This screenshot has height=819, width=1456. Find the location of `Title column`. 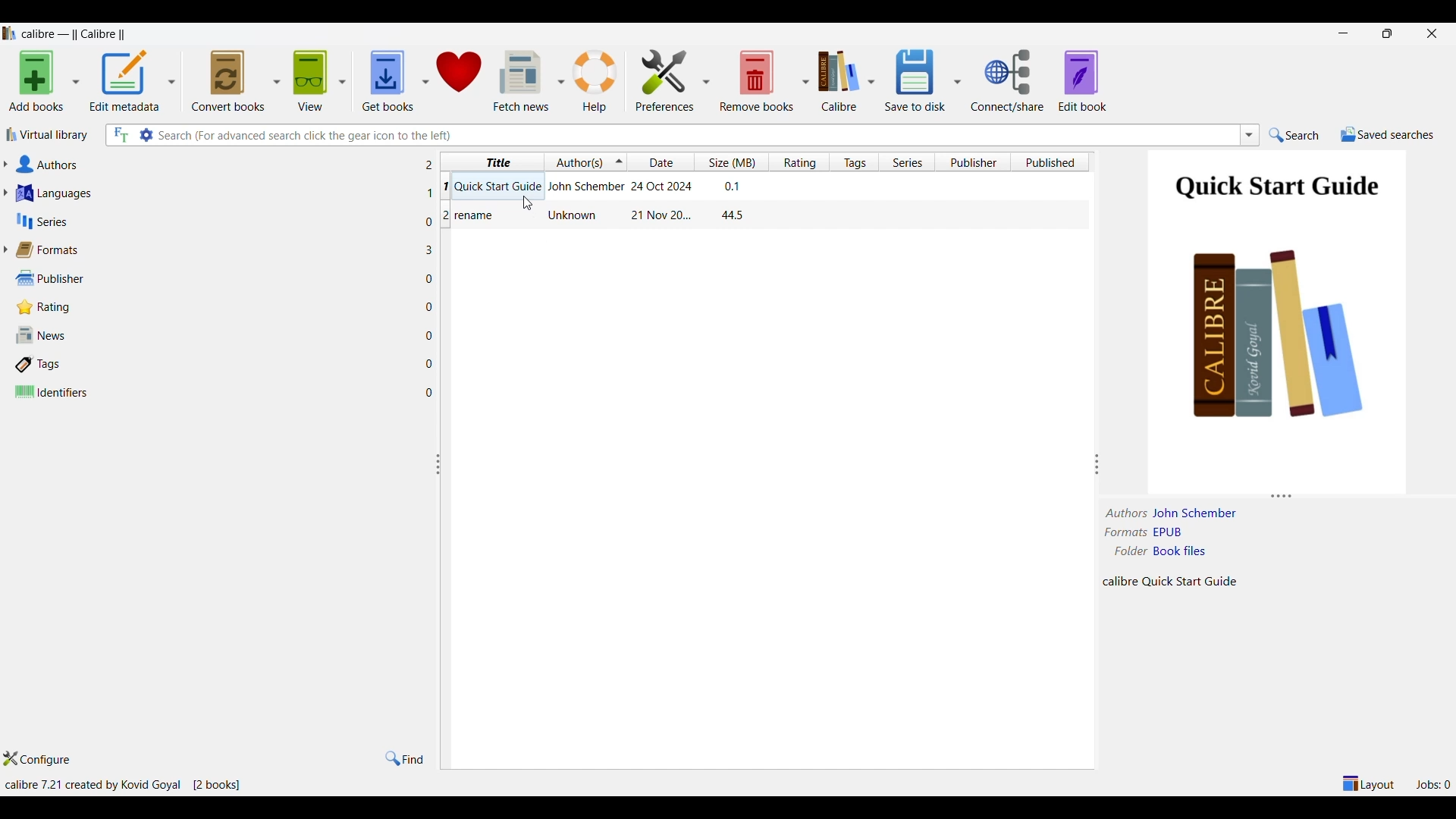

Title column is located at coordinates (495, 162).